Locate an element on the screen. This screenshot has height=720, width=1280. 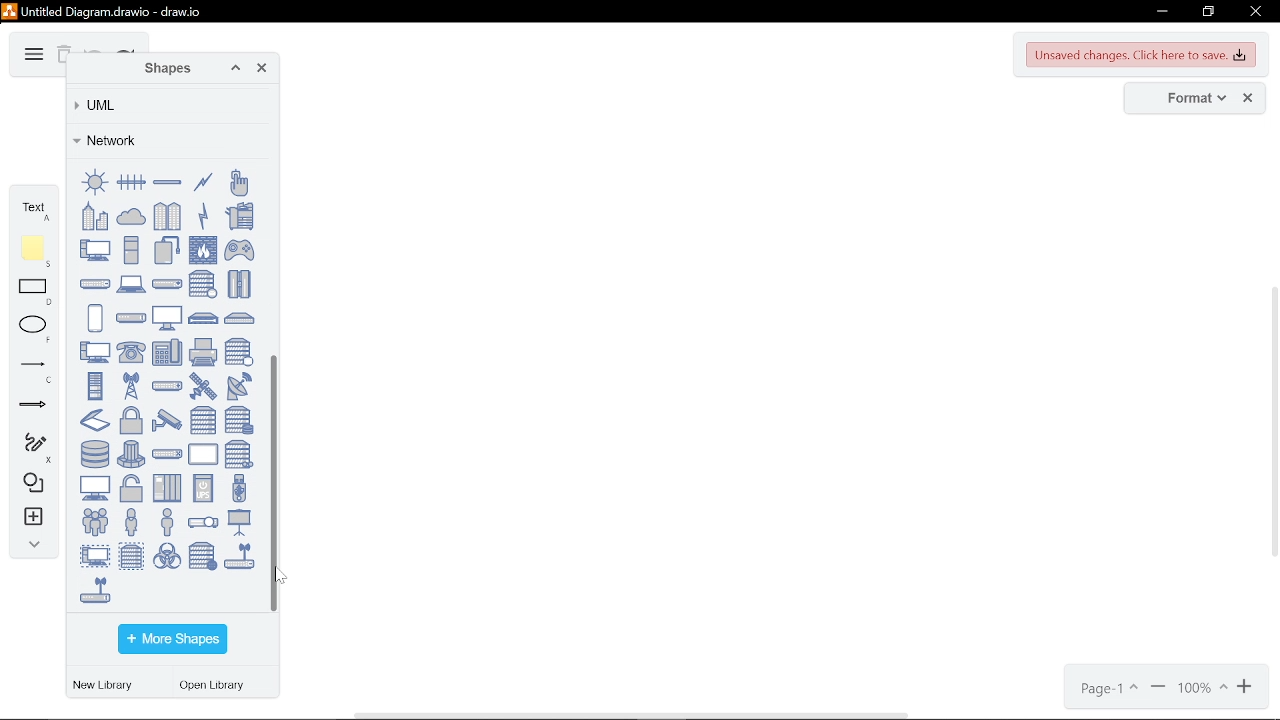
untitled diagram.drawio - draw.io is located at coordinates (114, 10).